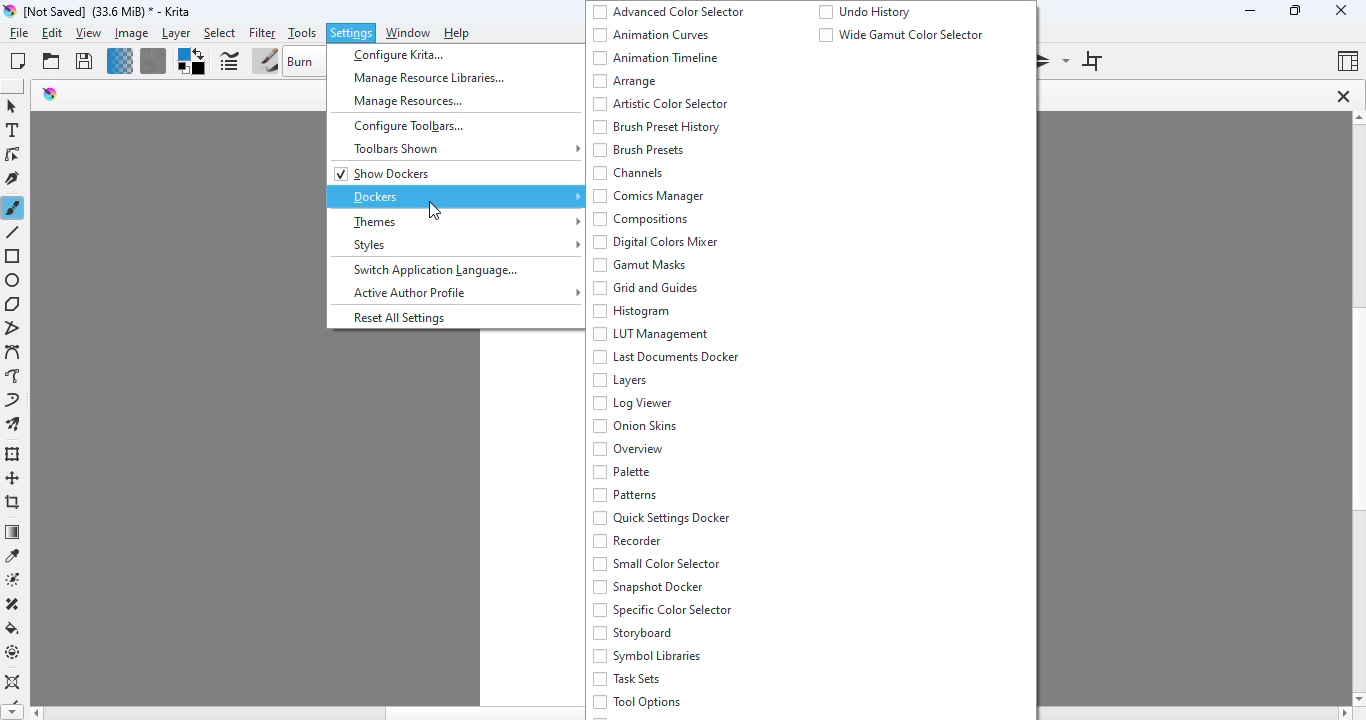 The height and width of the screenshot is (720, 1366). What do you see at coordinates (400, 56) in the screenshot?
I see `configure krita` at bounding box center [400, 56].